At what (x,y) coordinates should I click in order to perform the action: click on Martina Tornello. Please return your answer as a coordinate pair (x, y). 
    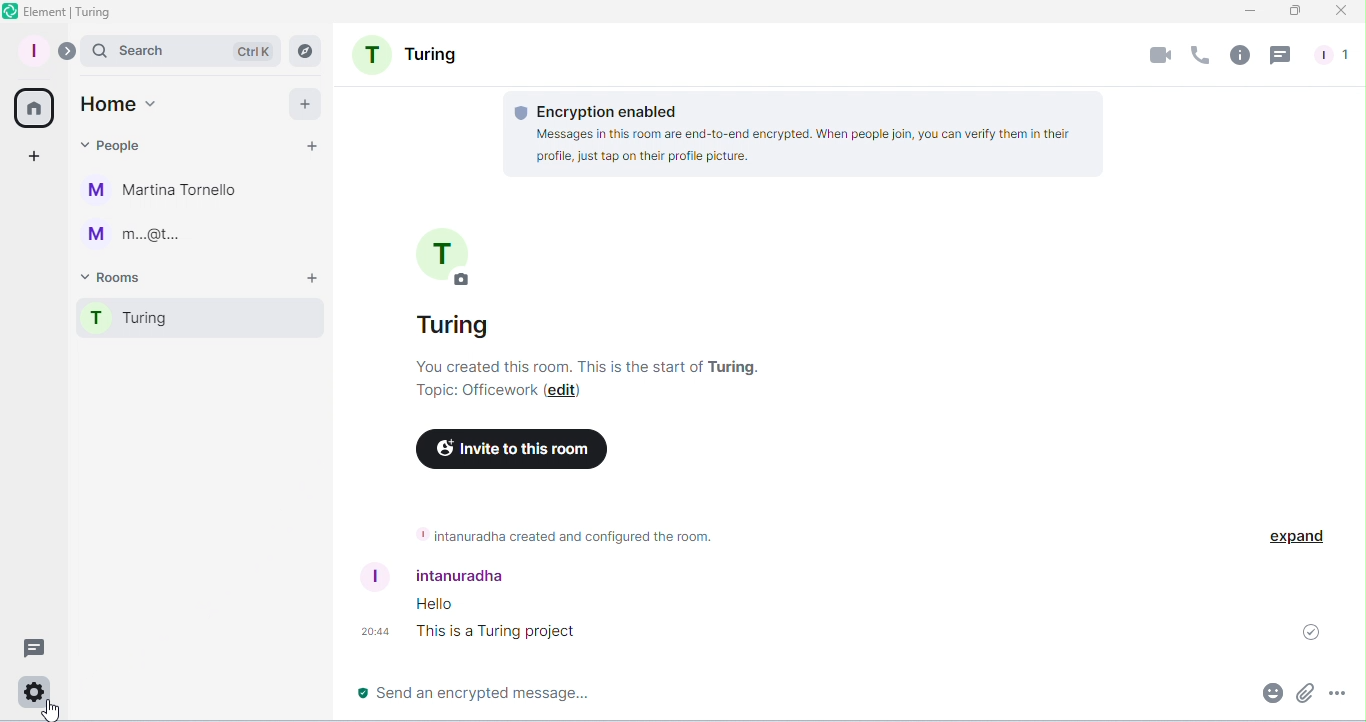
    Looking at the image, I should click on (164, 194).